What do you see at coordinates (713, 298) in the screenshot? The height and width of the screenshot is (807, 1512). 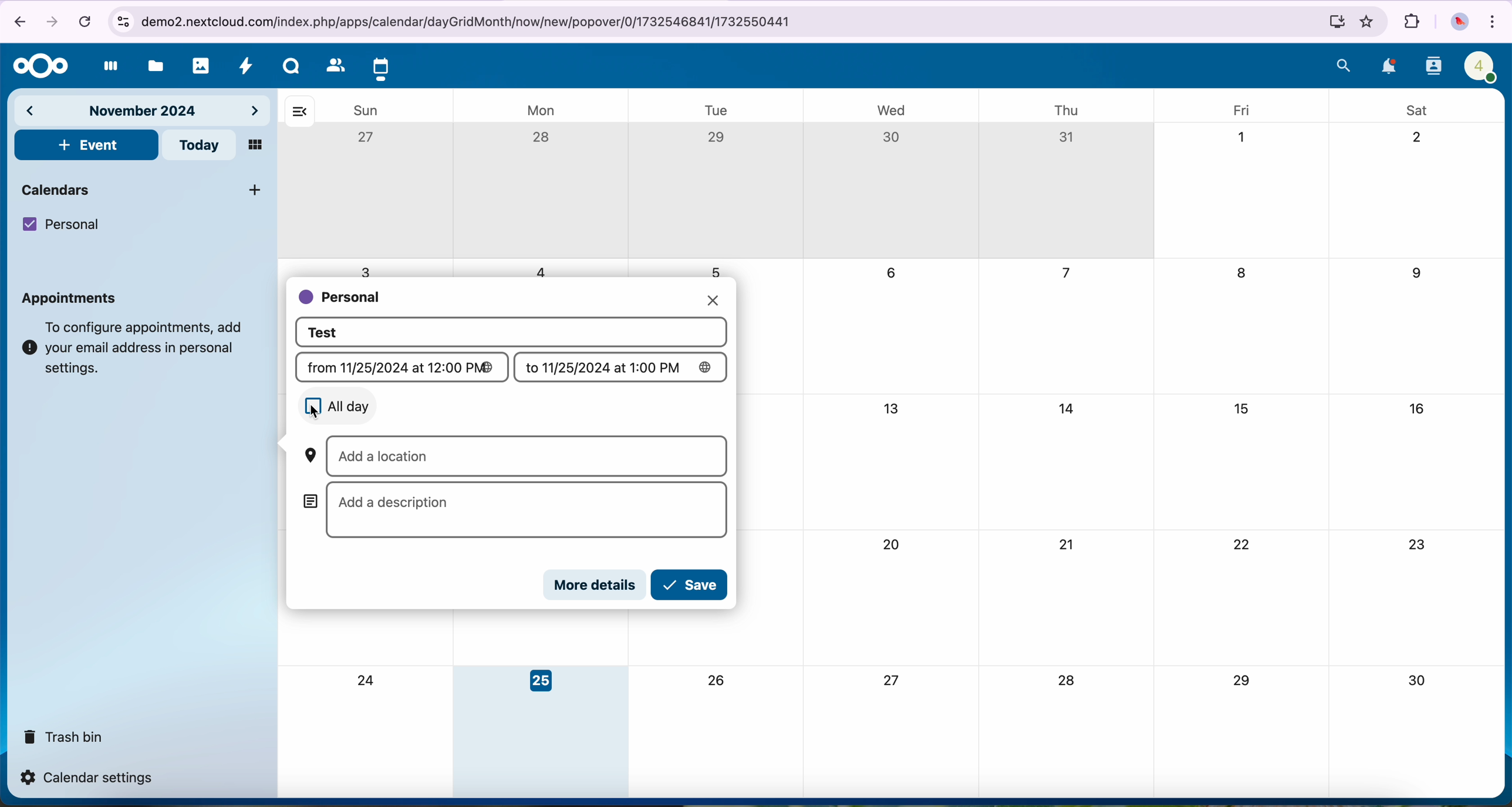 I see `close pop-up` at bounding box center [713, 298].